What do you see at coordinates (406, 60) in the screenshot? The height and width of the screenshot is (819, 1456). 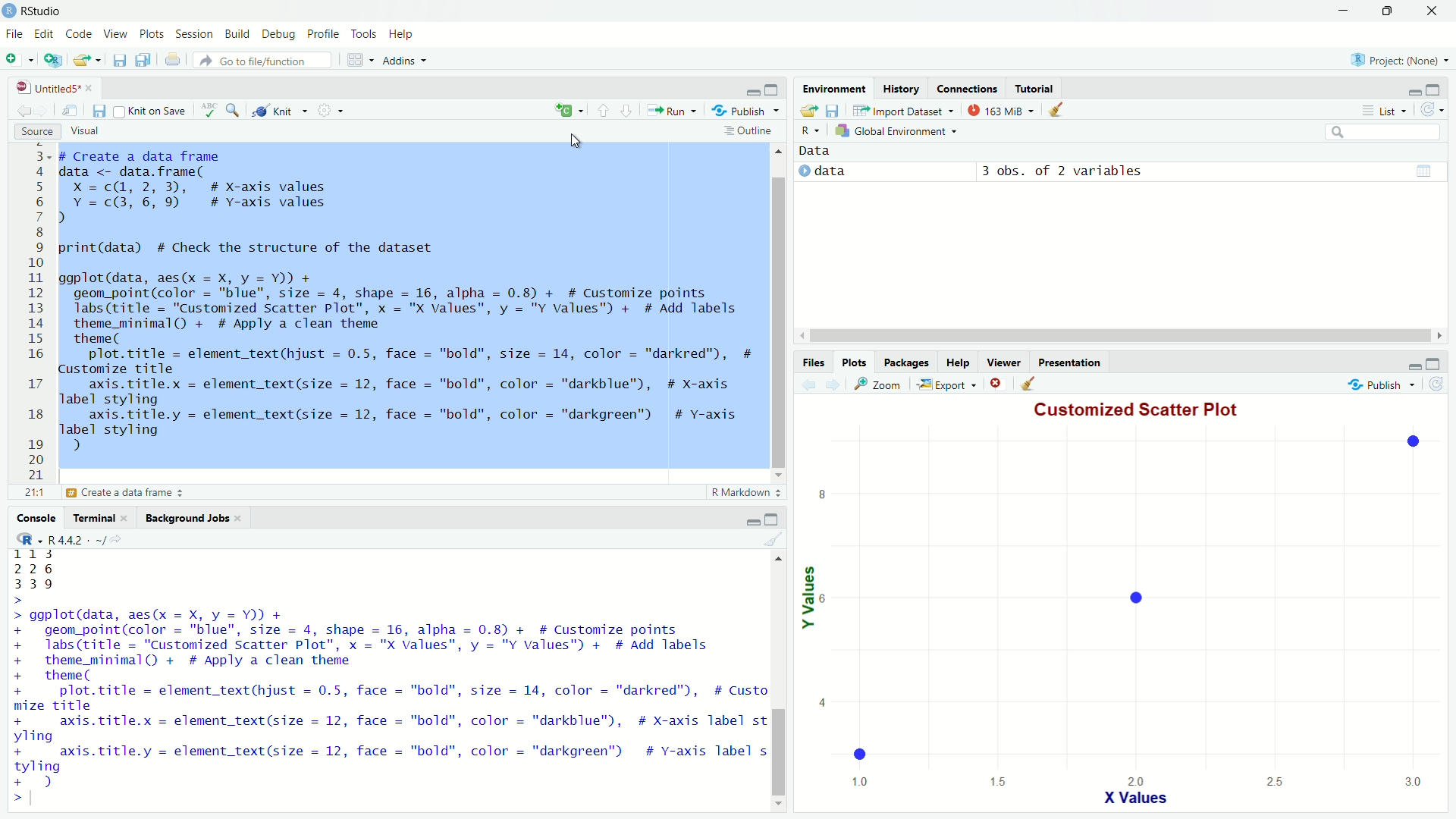 I see `Addins` at bounding box center [406, 60].